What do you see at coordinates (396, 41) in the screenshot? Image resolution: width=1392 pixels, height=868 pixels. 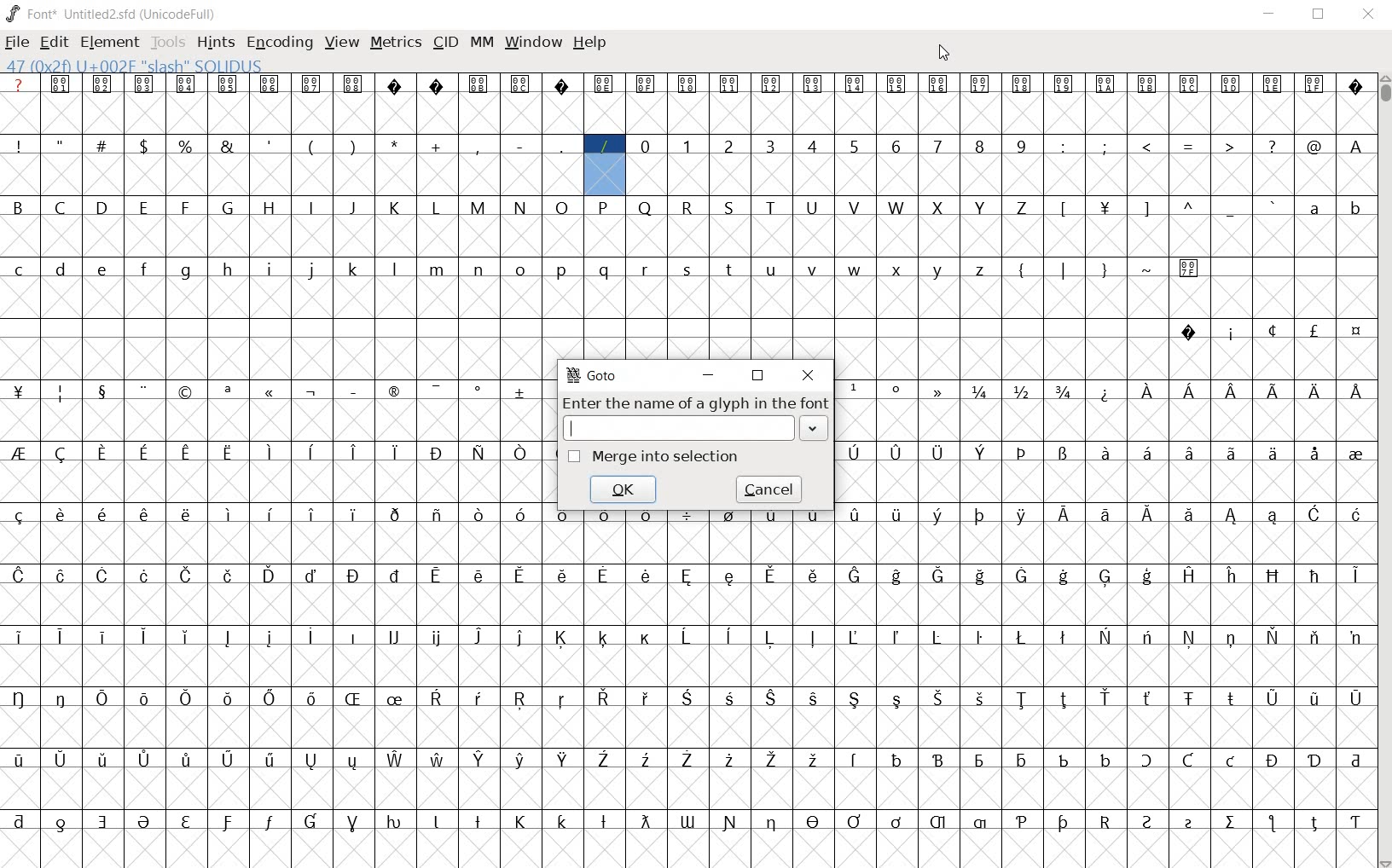 I see `METRICS` at bounding box center [396, 41].